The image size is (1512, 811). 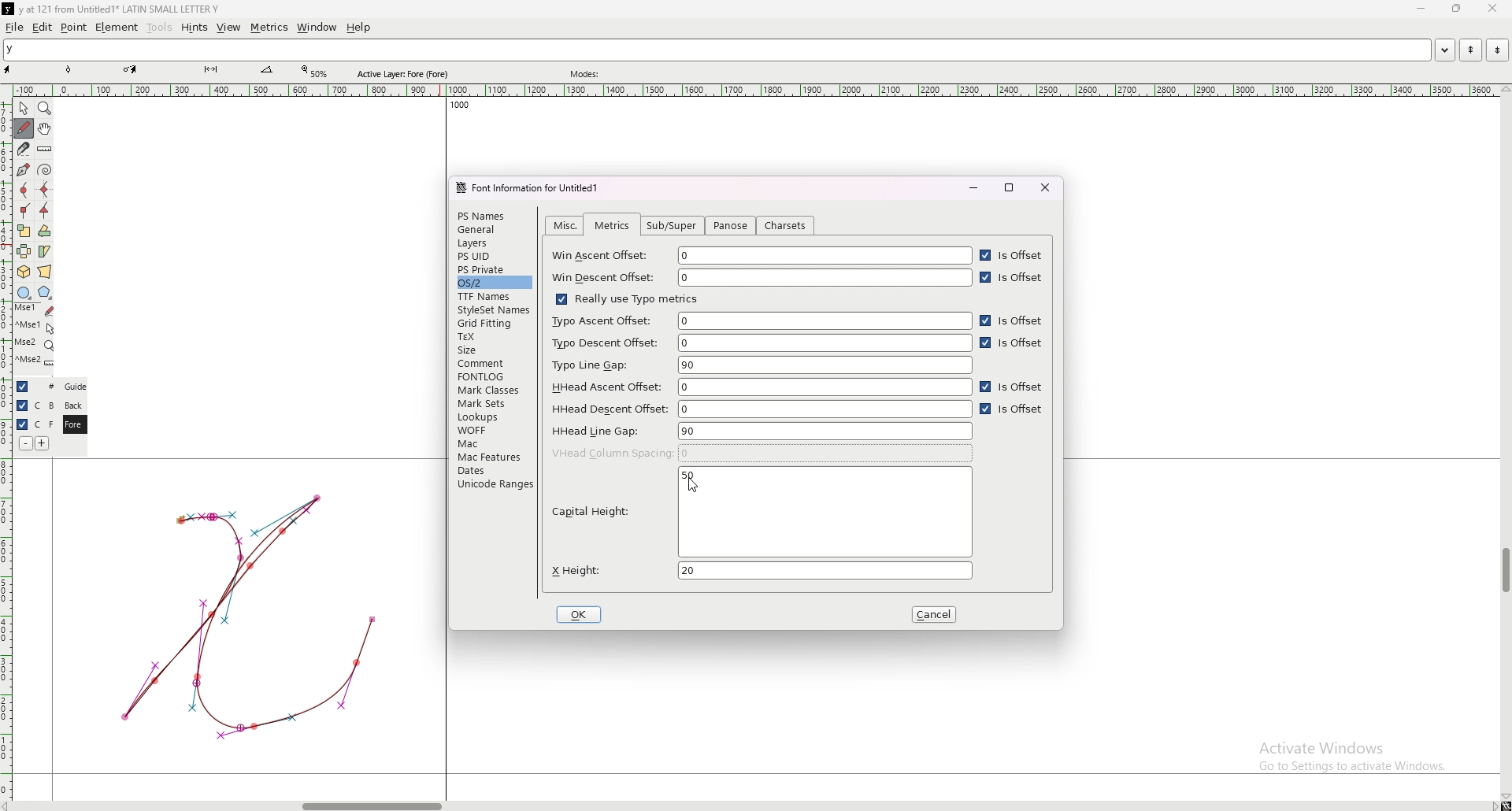 I want to click on close, so click(x=1046, y=187).